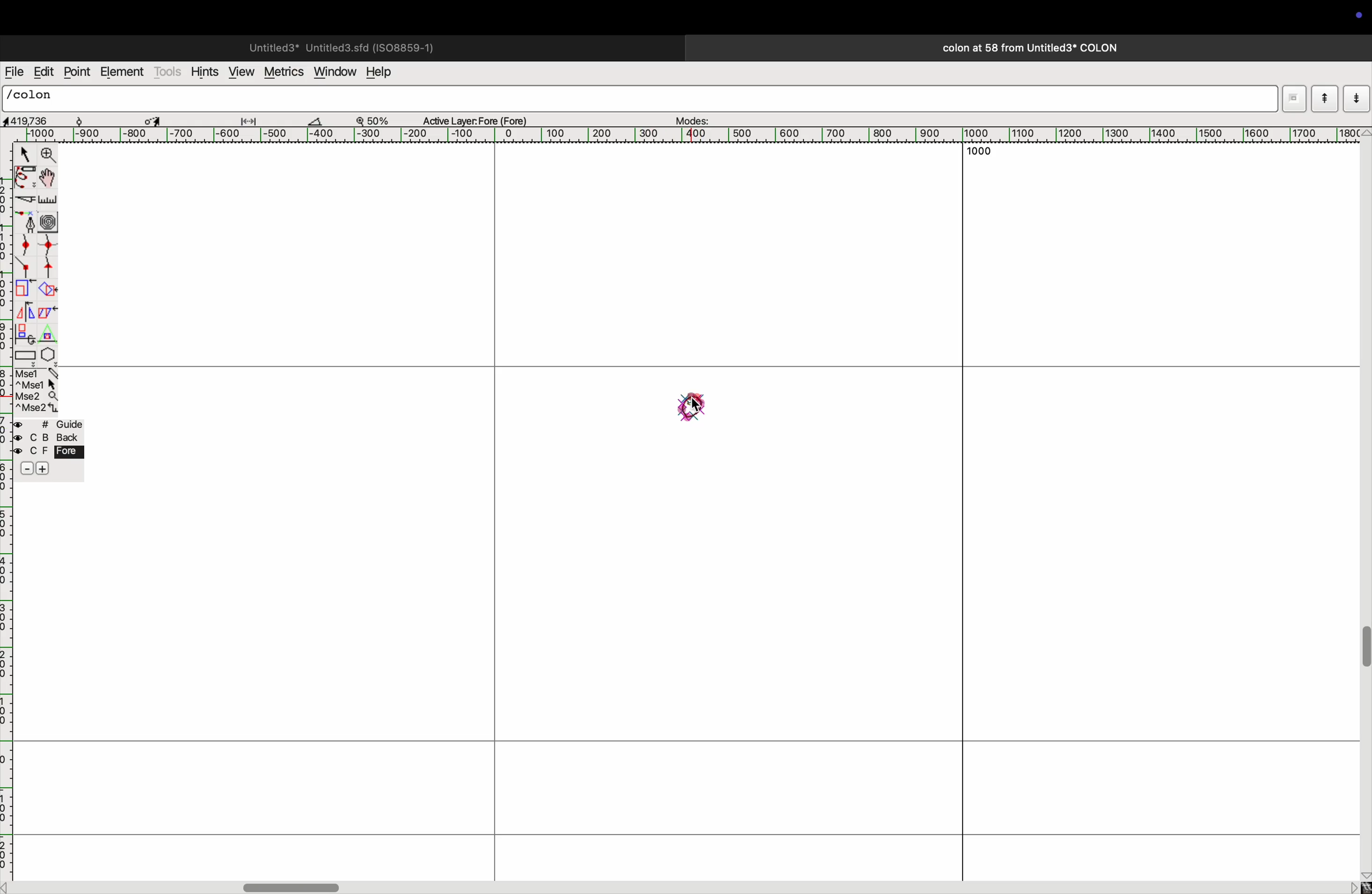  Describe the element at coordinates (35, 390) in the screenshot. I see `mse ` at that location.